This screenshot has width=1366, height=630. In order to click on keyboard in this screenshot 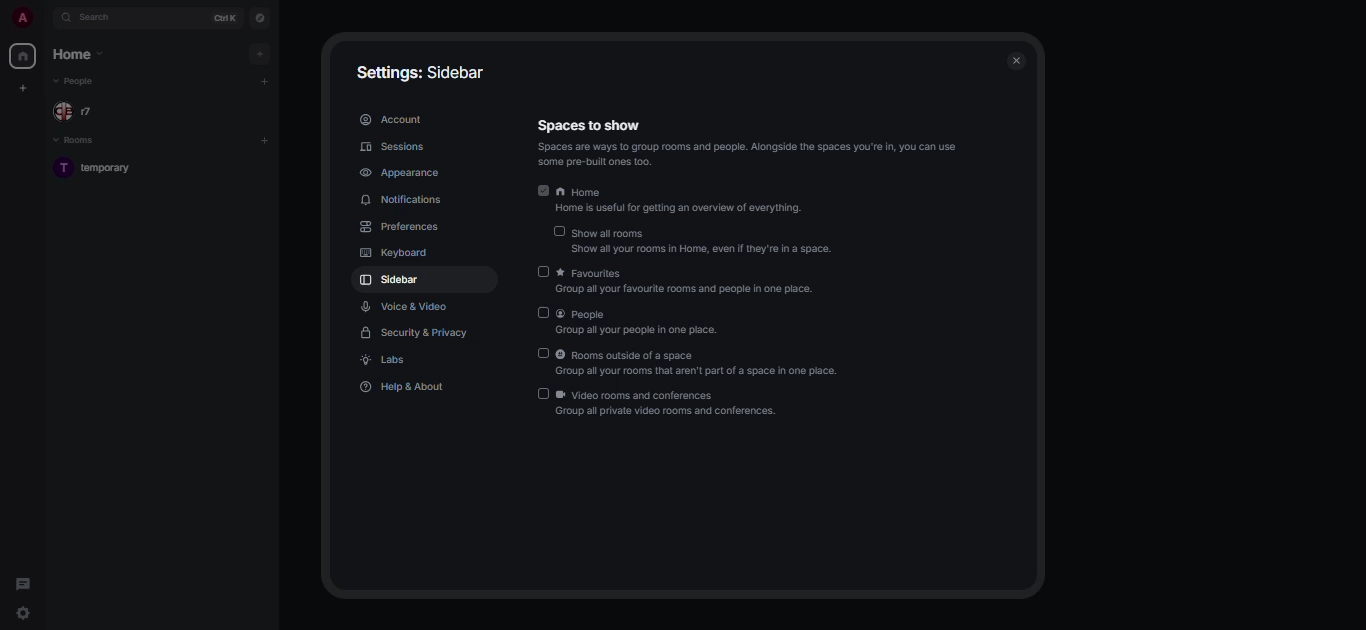, I will do `click(395, 253)`.